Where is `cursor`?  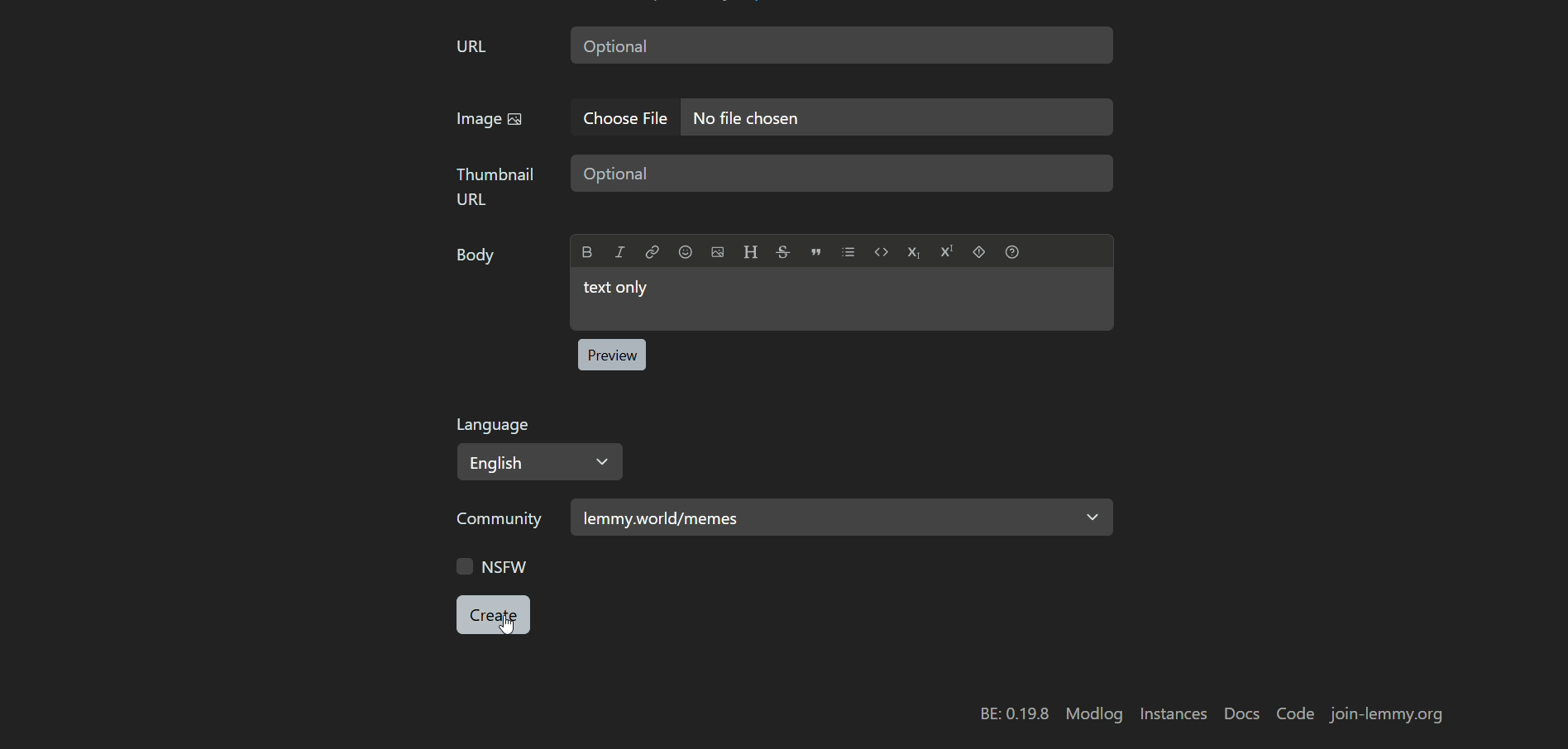 cursor is located at coordinates (506, 626).